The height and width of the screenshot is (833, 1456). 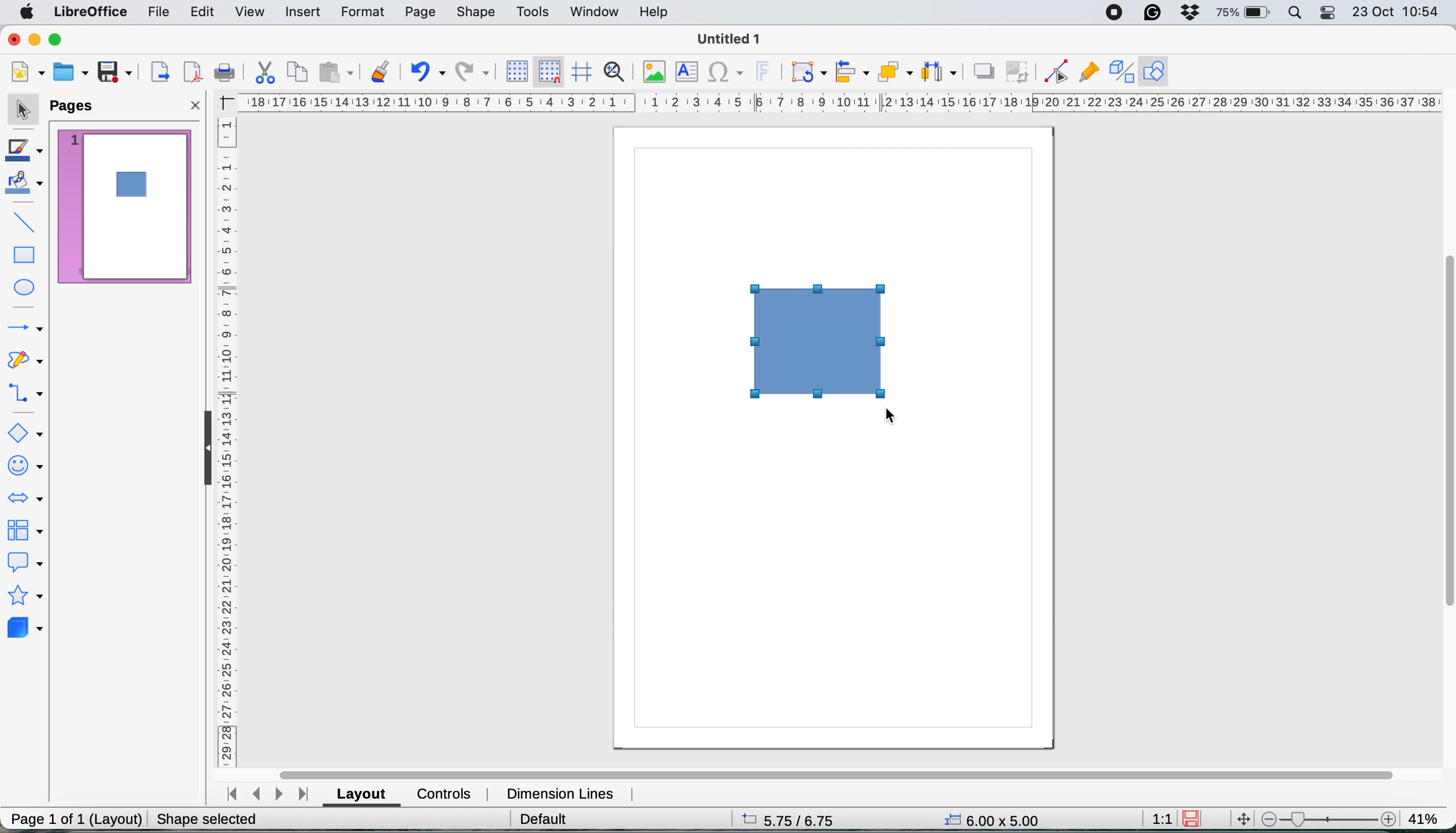 What do you see at coordinates (726, 74) in the screenshot?
I see `insert special characters` at bounding box center [726, 74].